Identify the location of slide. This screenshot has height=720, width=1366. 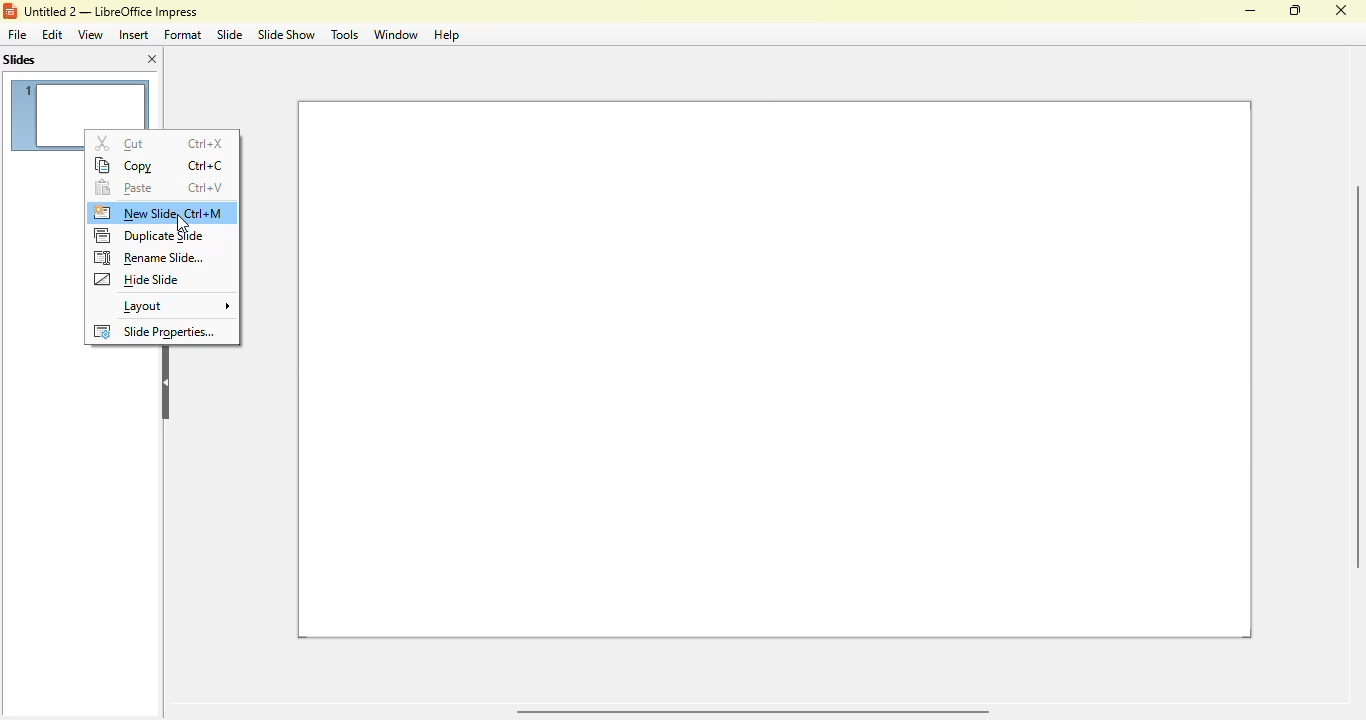
(230, 34).